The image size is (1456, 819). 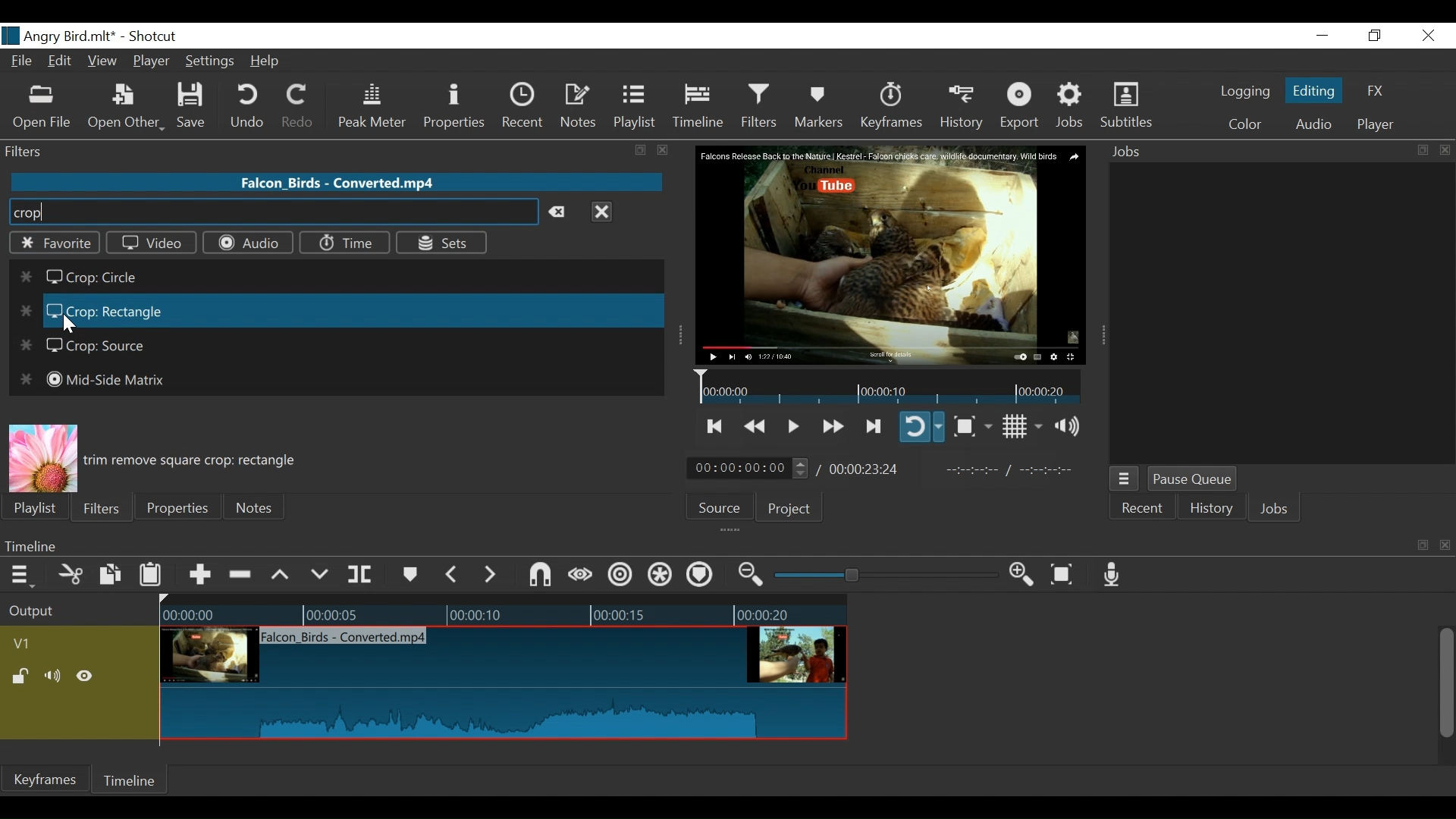 I want to click on Pause Queue, so click(x=1194, y=480).